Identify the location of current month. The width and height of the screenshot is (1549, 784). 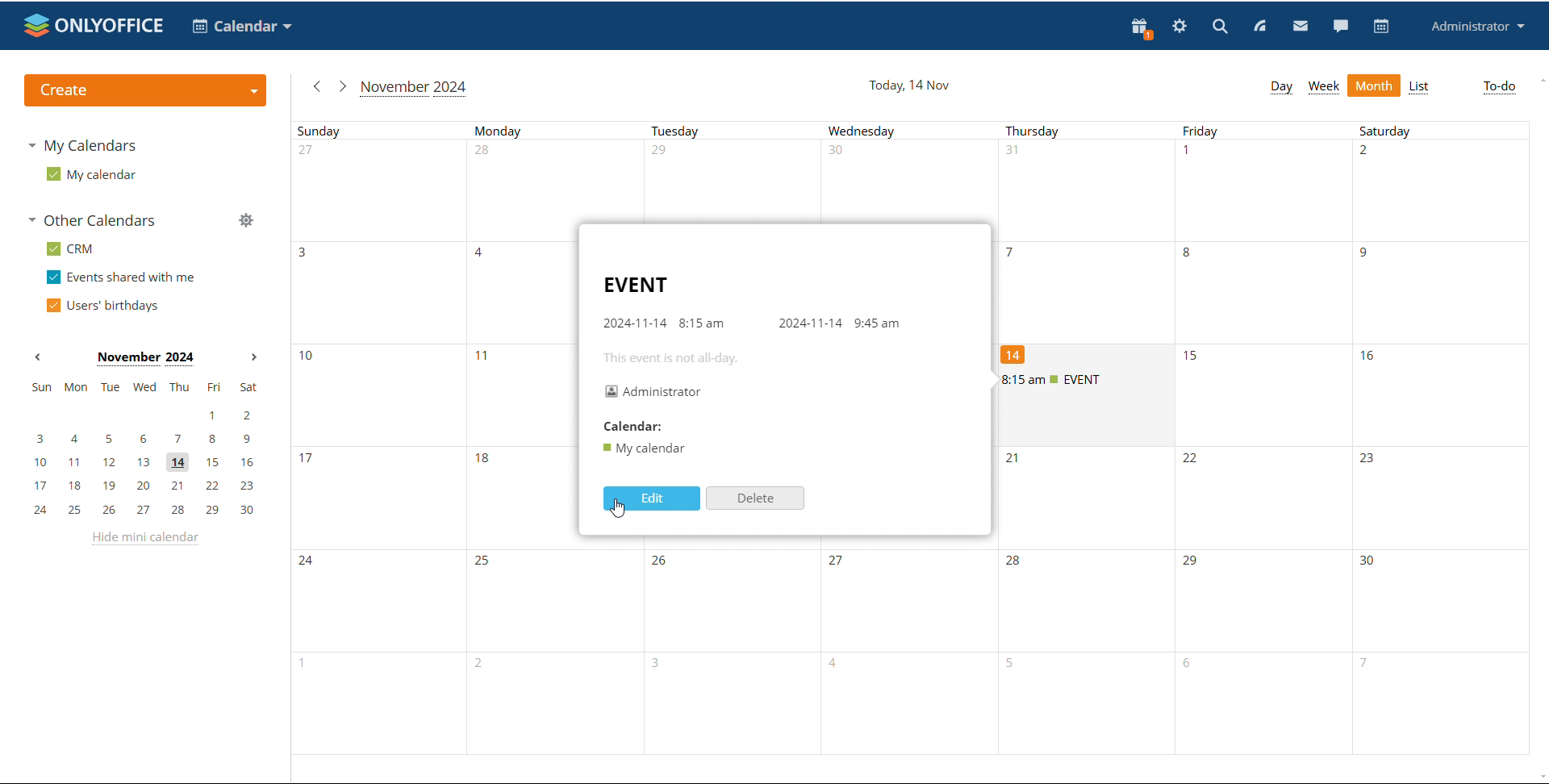
(415, 88).